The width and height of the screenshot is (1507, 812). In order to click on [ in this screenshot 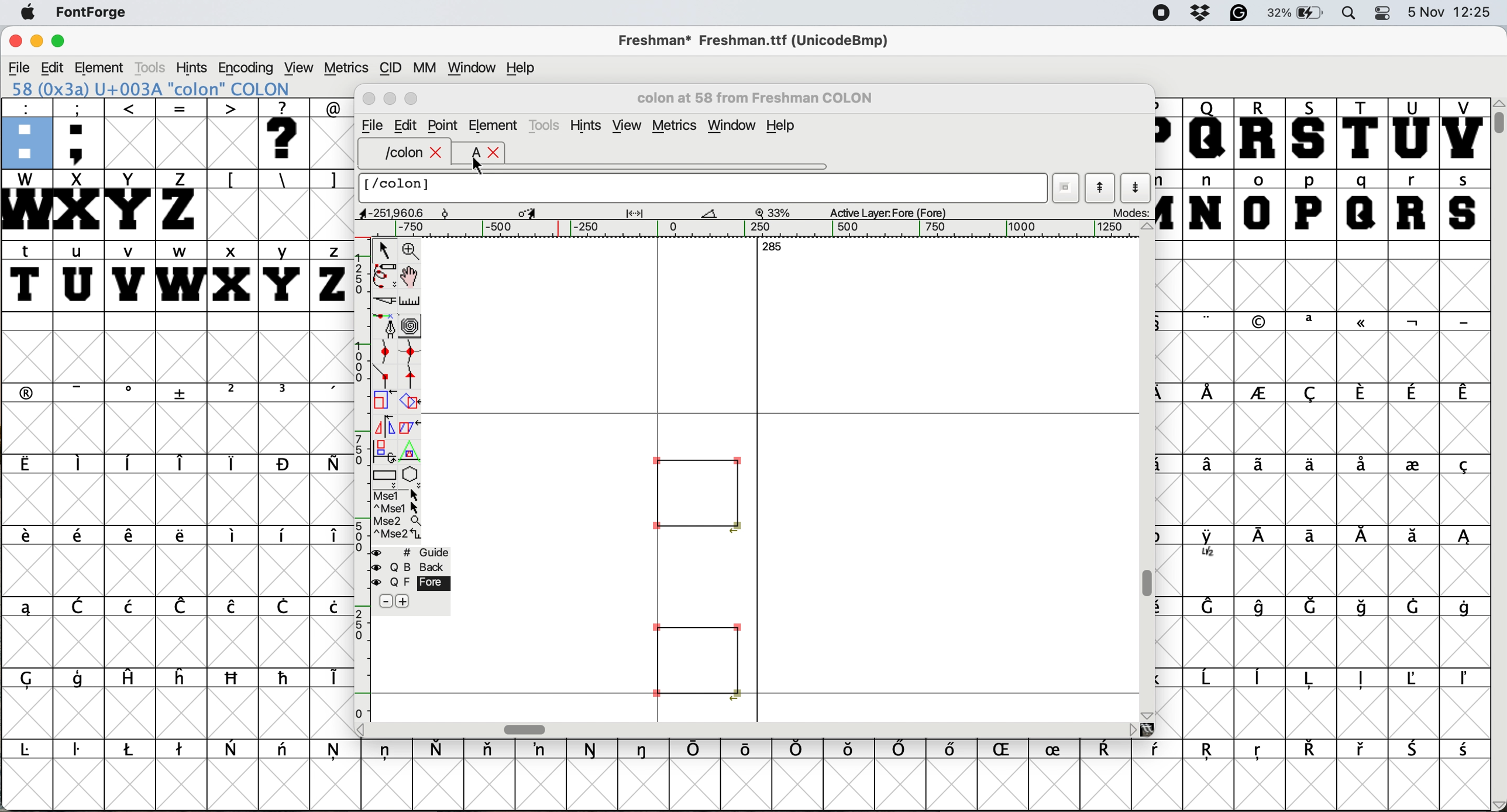, I will do `click(232, 180)`.